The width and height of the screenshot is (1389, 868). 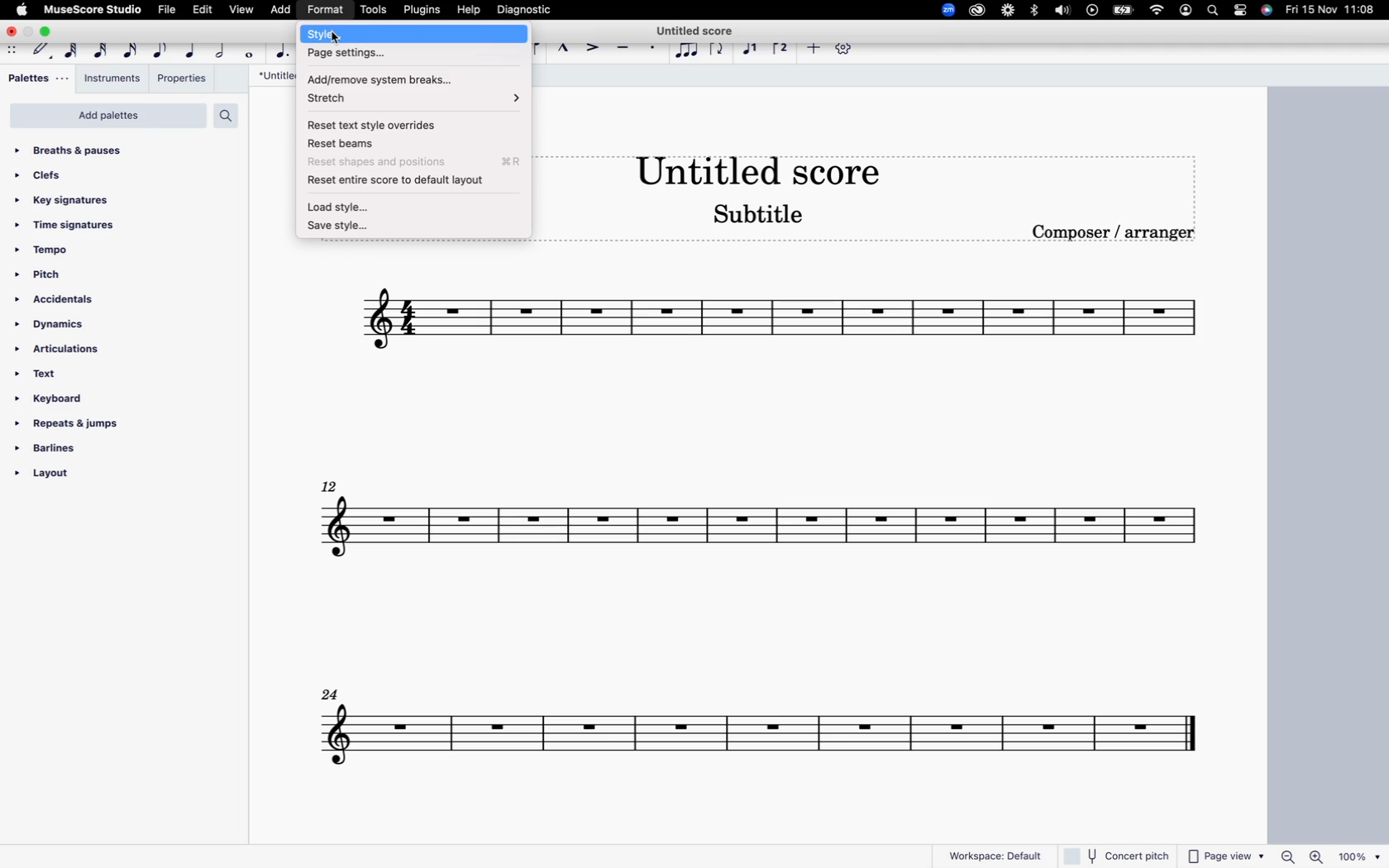 What do you see at coordinates (42, 53) in the screenshot?
I see `default` at bounding box center [42, 53].